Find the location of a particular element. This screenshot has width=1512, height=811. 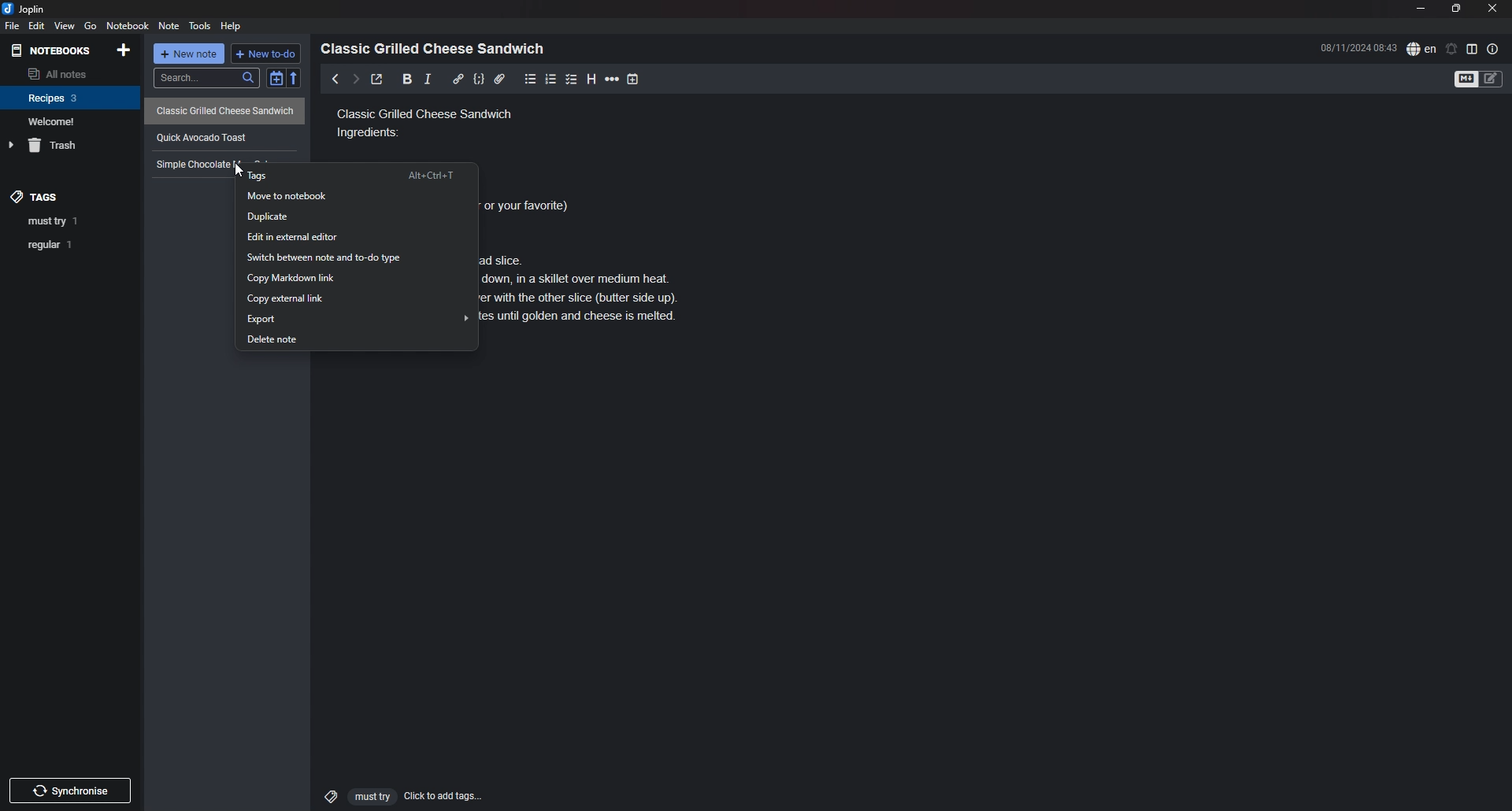

notebook is located at coordinates (129, 25).